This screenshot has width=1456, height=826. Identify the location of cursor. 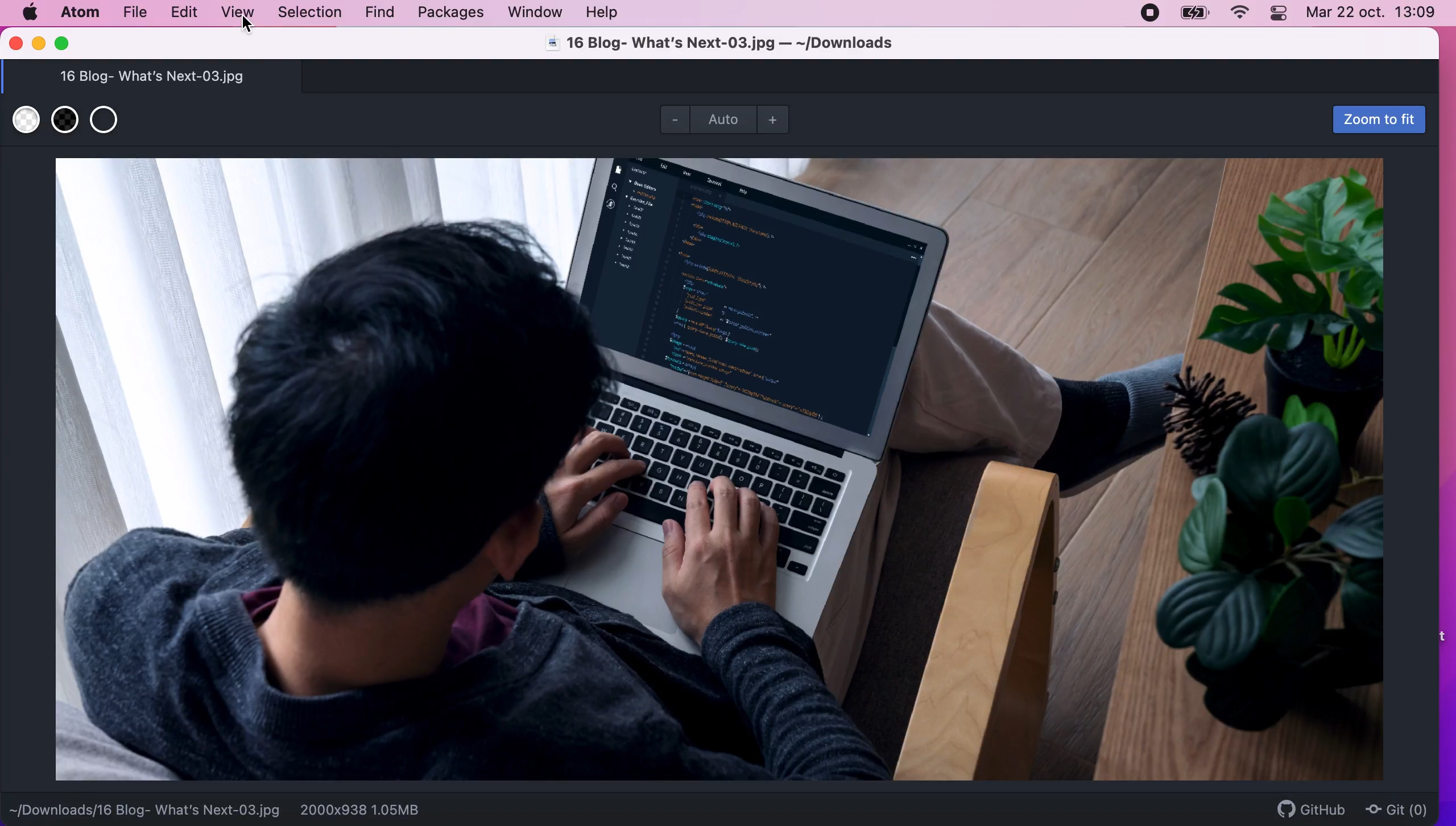
(250, 27).